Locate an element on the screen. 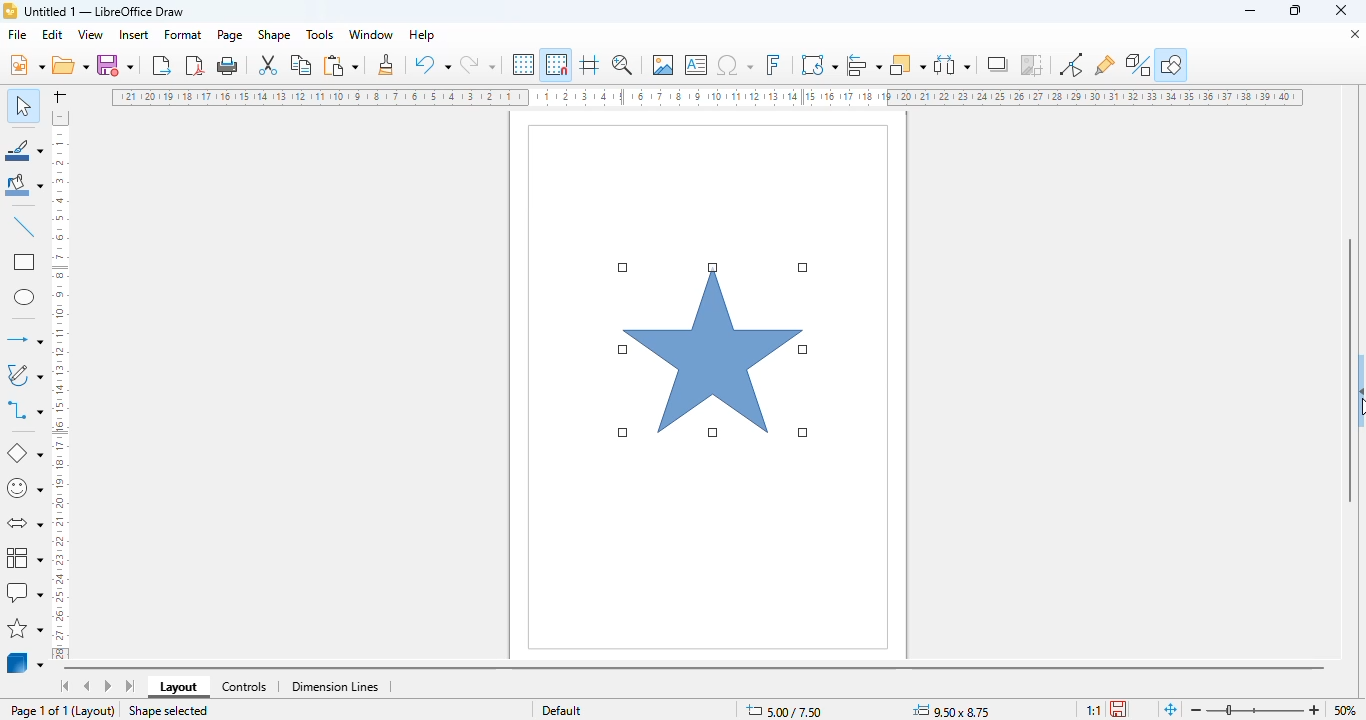 The width and height of the screenshot is (1366, 720). snap to grid is located at coordinates (557, 64).